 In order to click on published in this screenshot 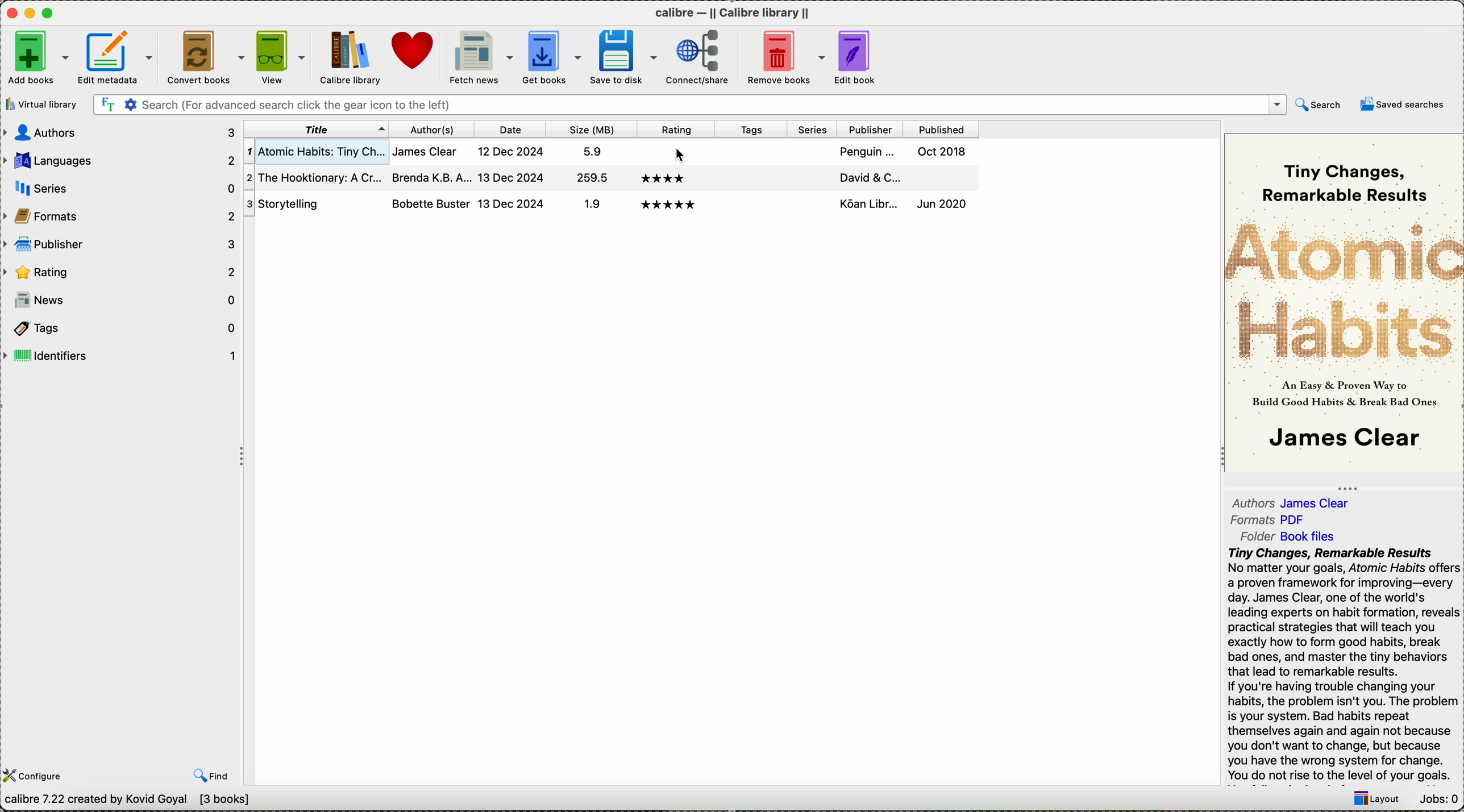, I will do `click(938, 177)`.